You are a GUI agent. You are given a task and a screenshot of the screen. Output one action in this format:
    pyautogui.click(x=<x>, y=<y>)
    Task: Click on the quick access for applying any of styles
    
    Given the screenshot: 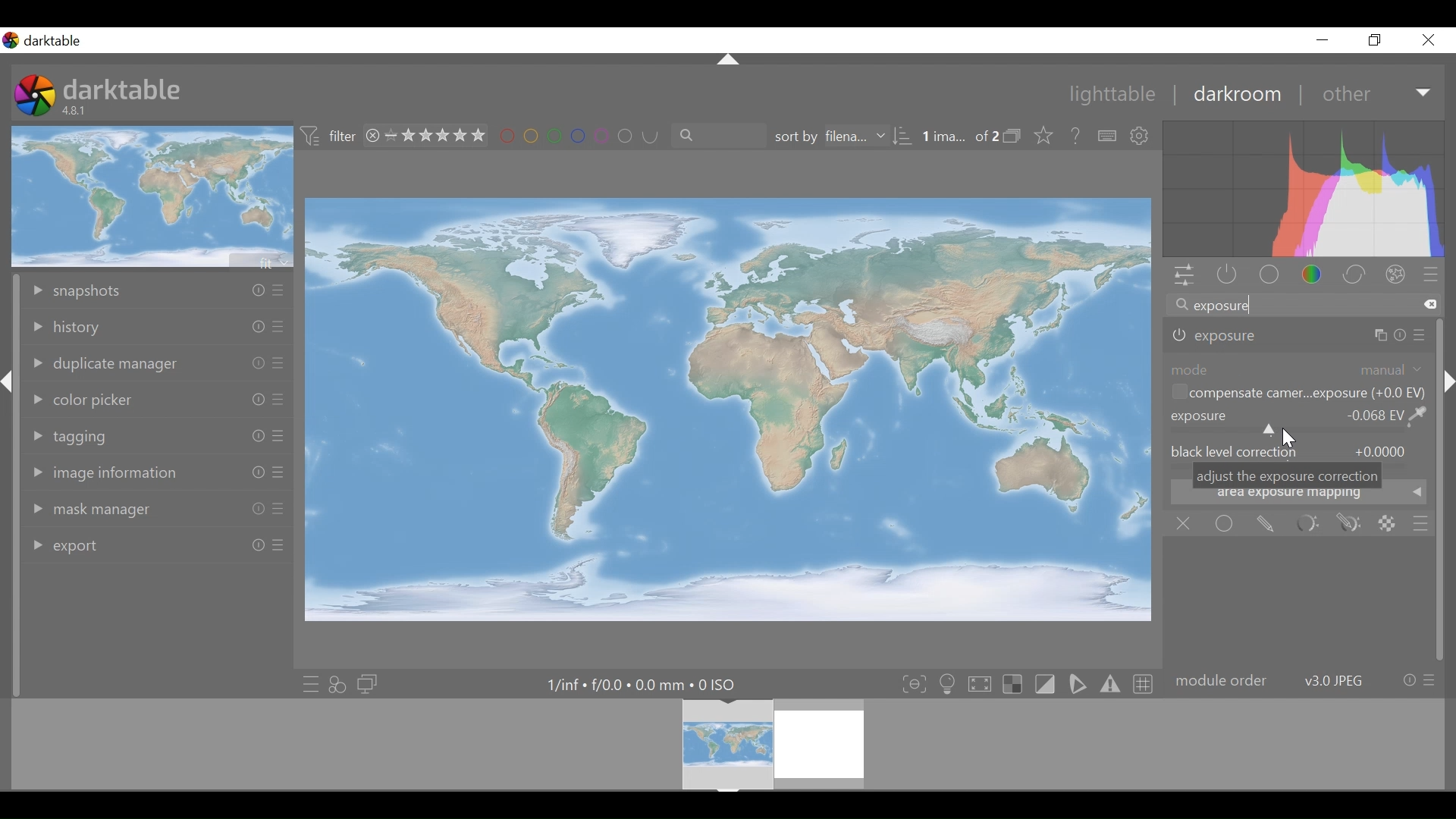 What is the action you would take?
    pyautogui.click(x=337, y=682)
    